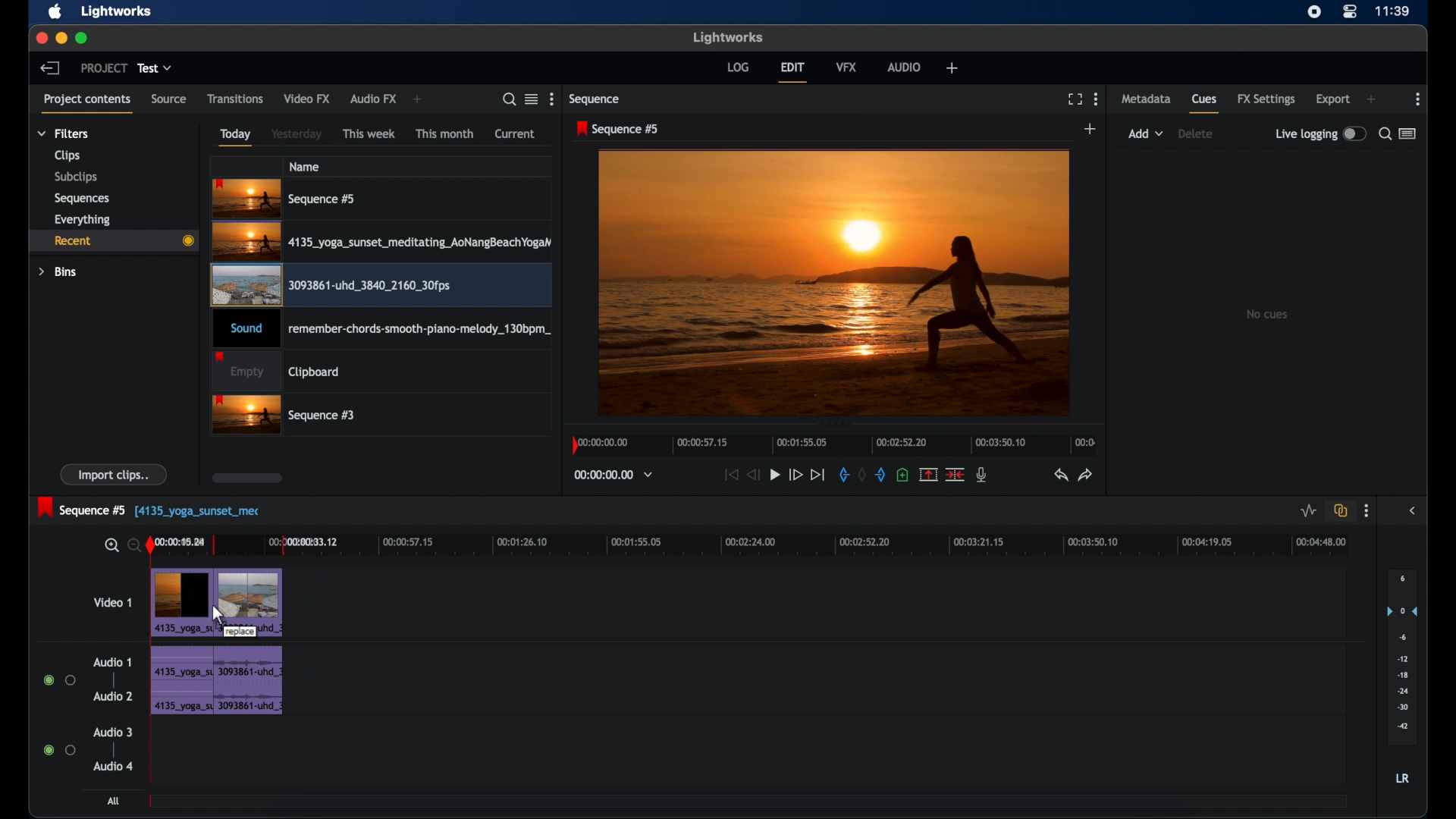  Describe the element at coordinates (1371, 99) in the screenshot. I see `add` at that location.